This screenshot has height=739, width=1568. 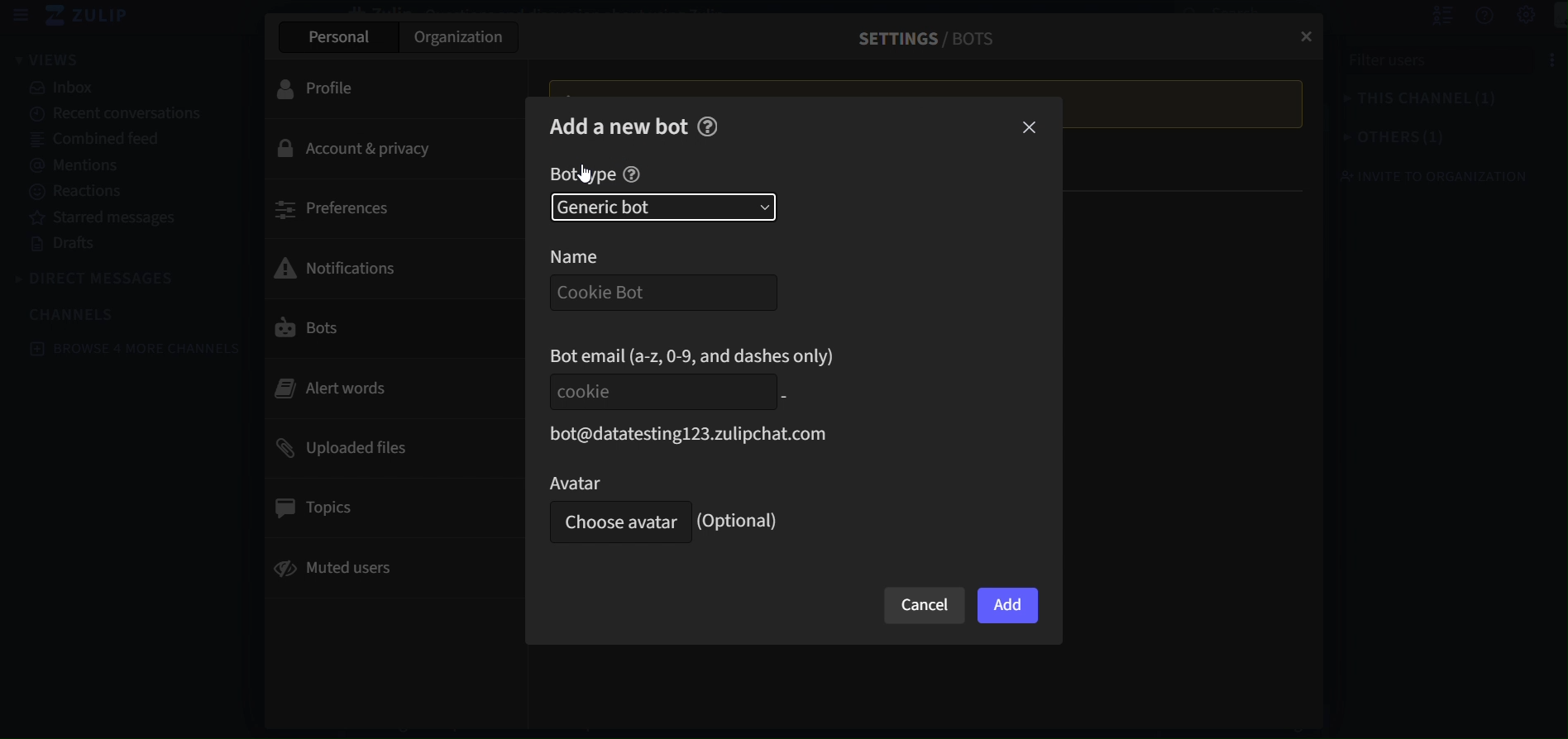 I want to click on Cookie Bot, so click(x=658, y=293).